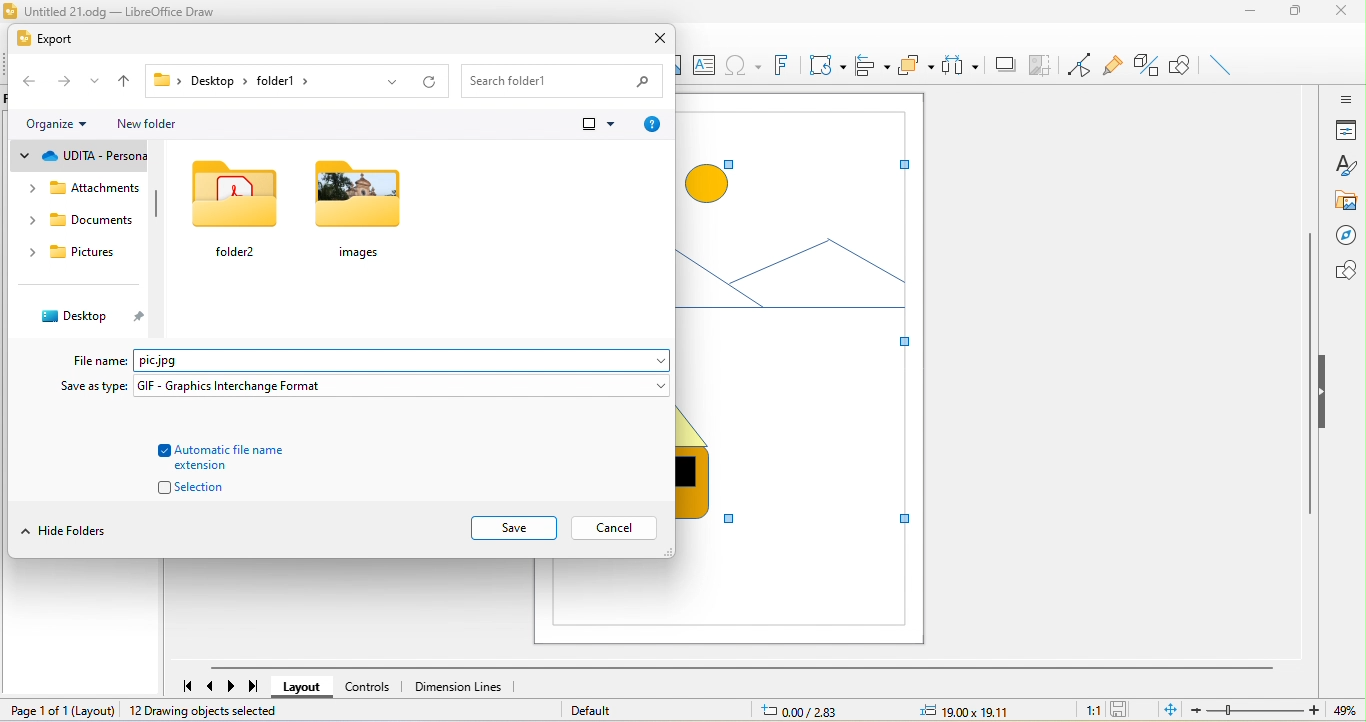 The width and height of the screenshot is (1366, 722). Describe the element at coordinates (60, 709) in the screenshot. I see `page 1 of 1` at that location.